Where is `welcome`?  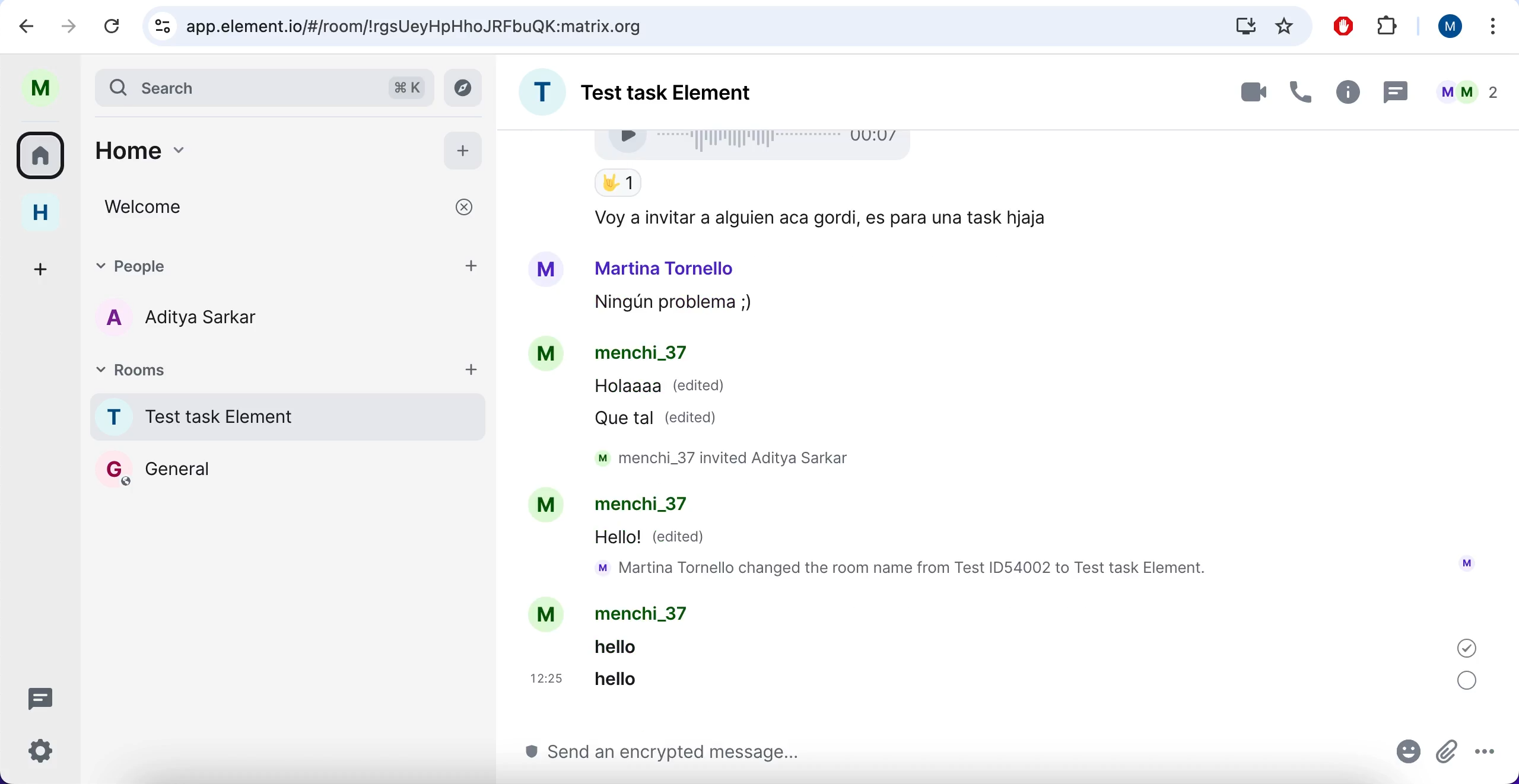
welcome is located at coordinates (291, 207).